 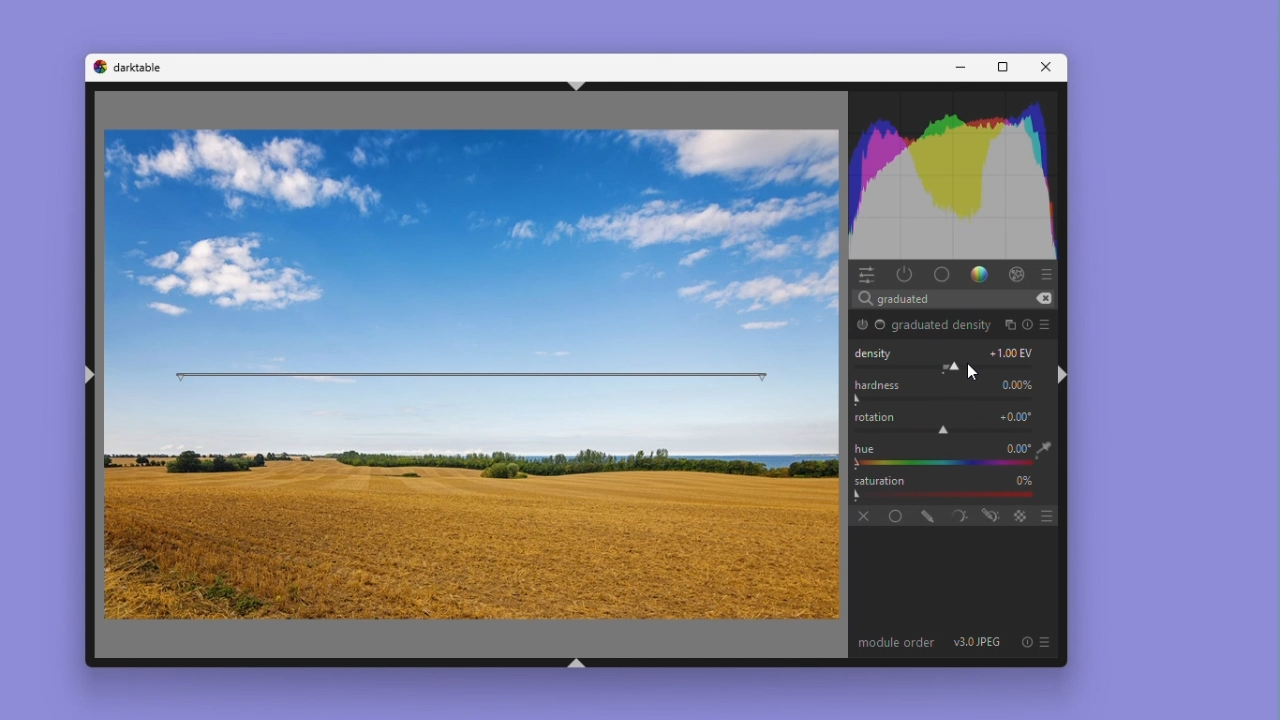 What do you see at coordinates (977, 273) in the screenshot?
I see `gradient` at bounding box center [977, 273].